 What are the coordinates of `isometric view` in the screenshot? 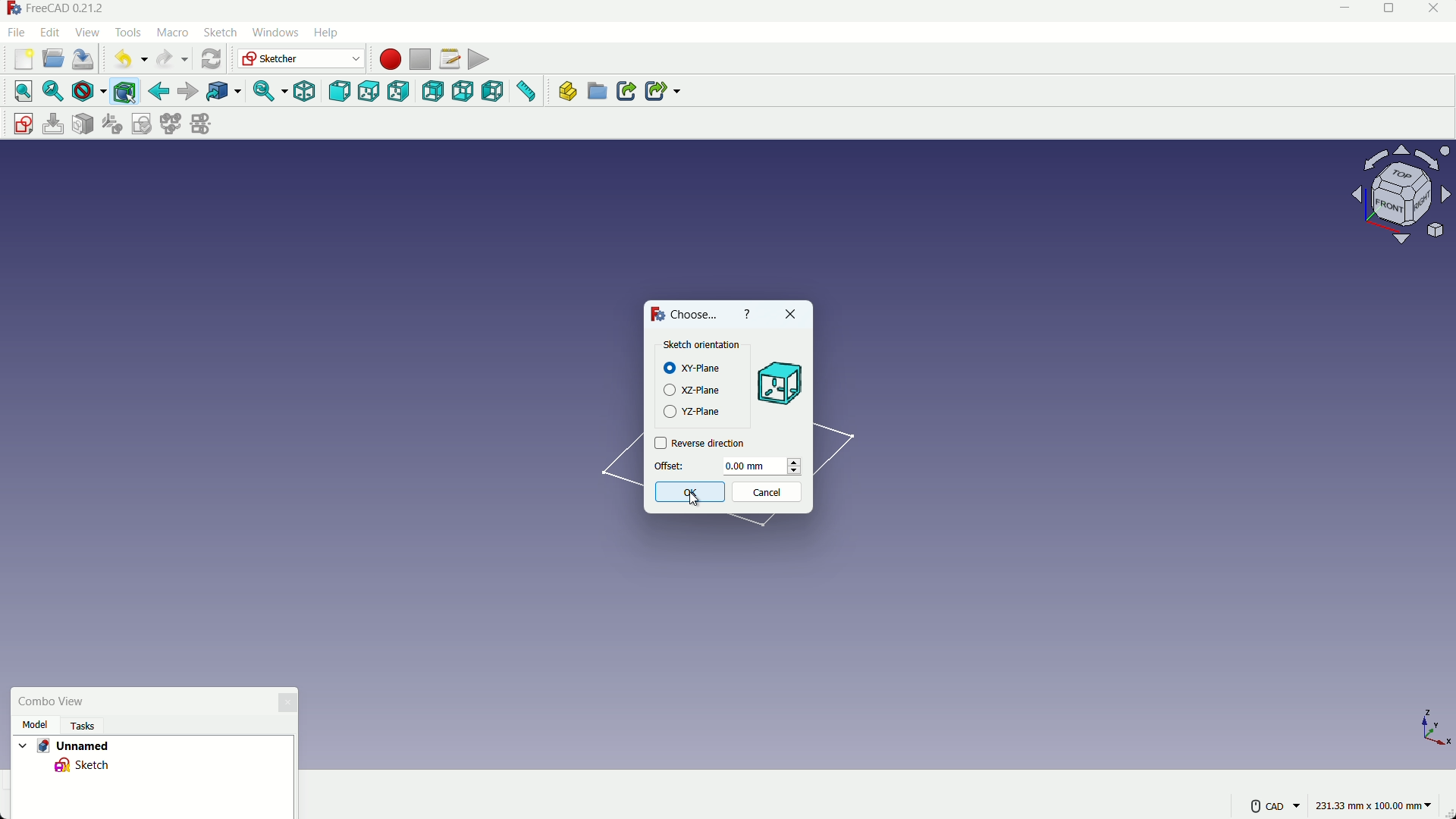 It's located at (305, 92).